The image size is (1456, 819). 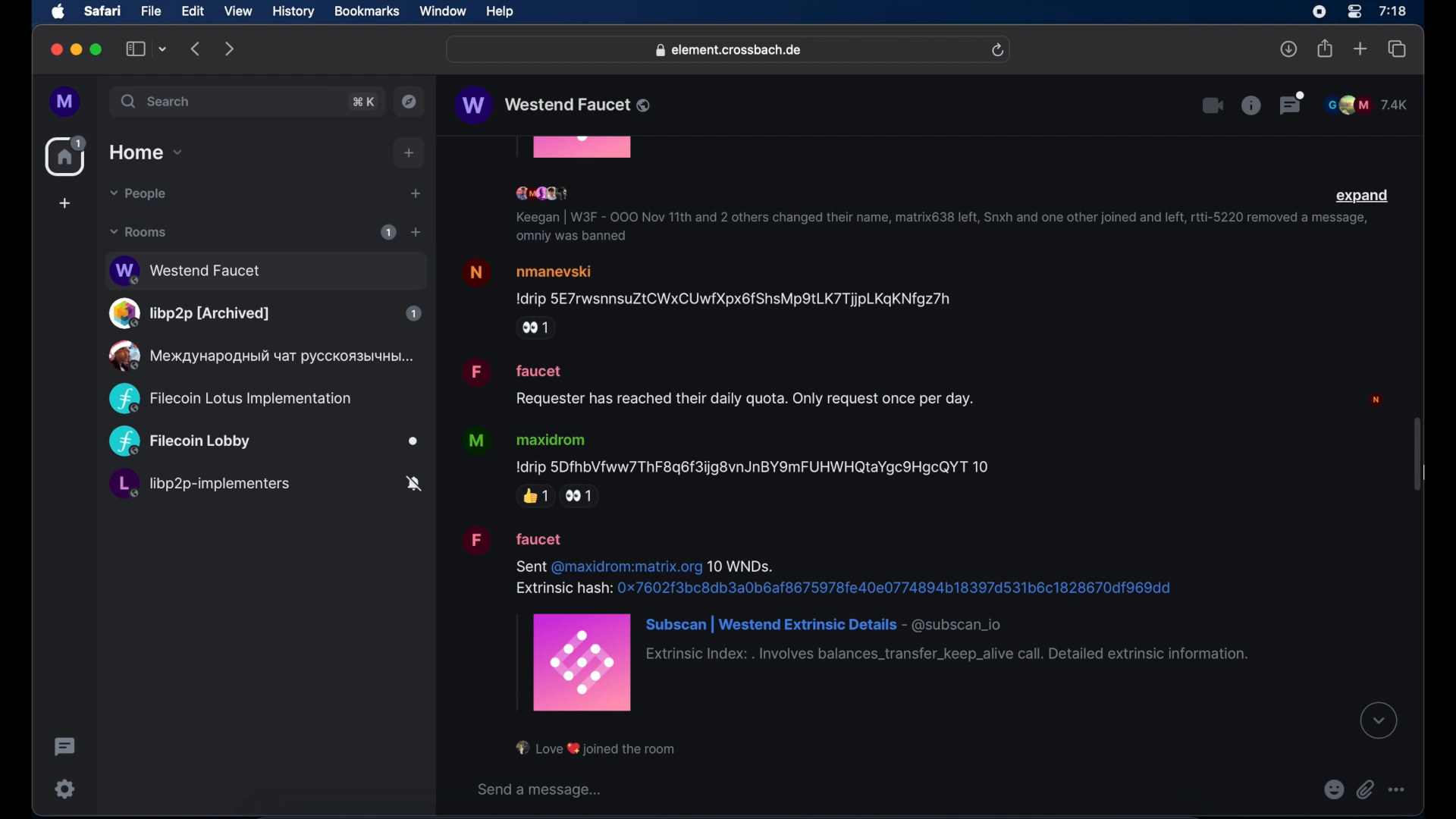 What do you see at coordinates (1366, 105) in the screenshot?
I see `participants` at bounding box center [1366, 105].